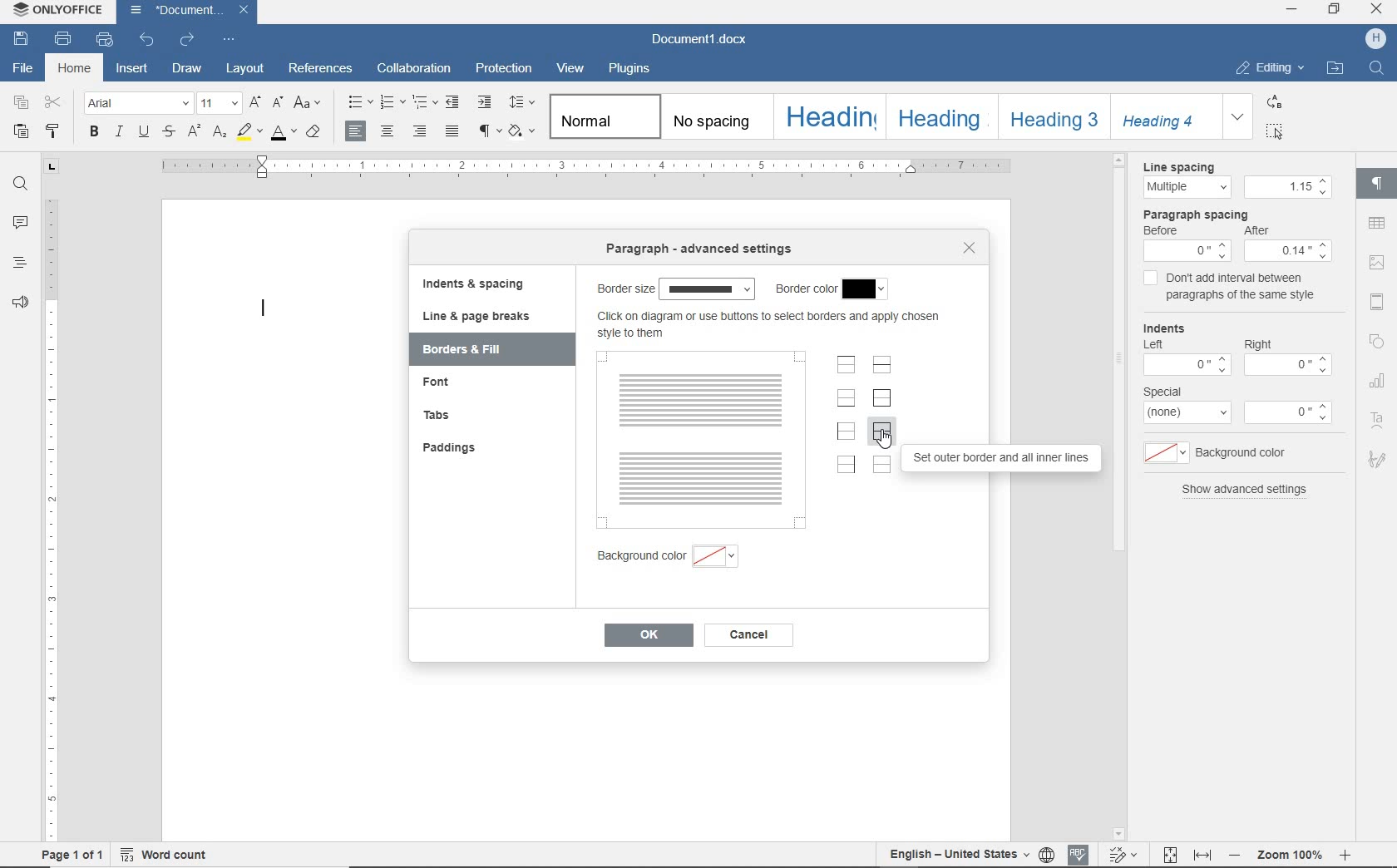  I want to click on decrement font size, so click(277, 102).